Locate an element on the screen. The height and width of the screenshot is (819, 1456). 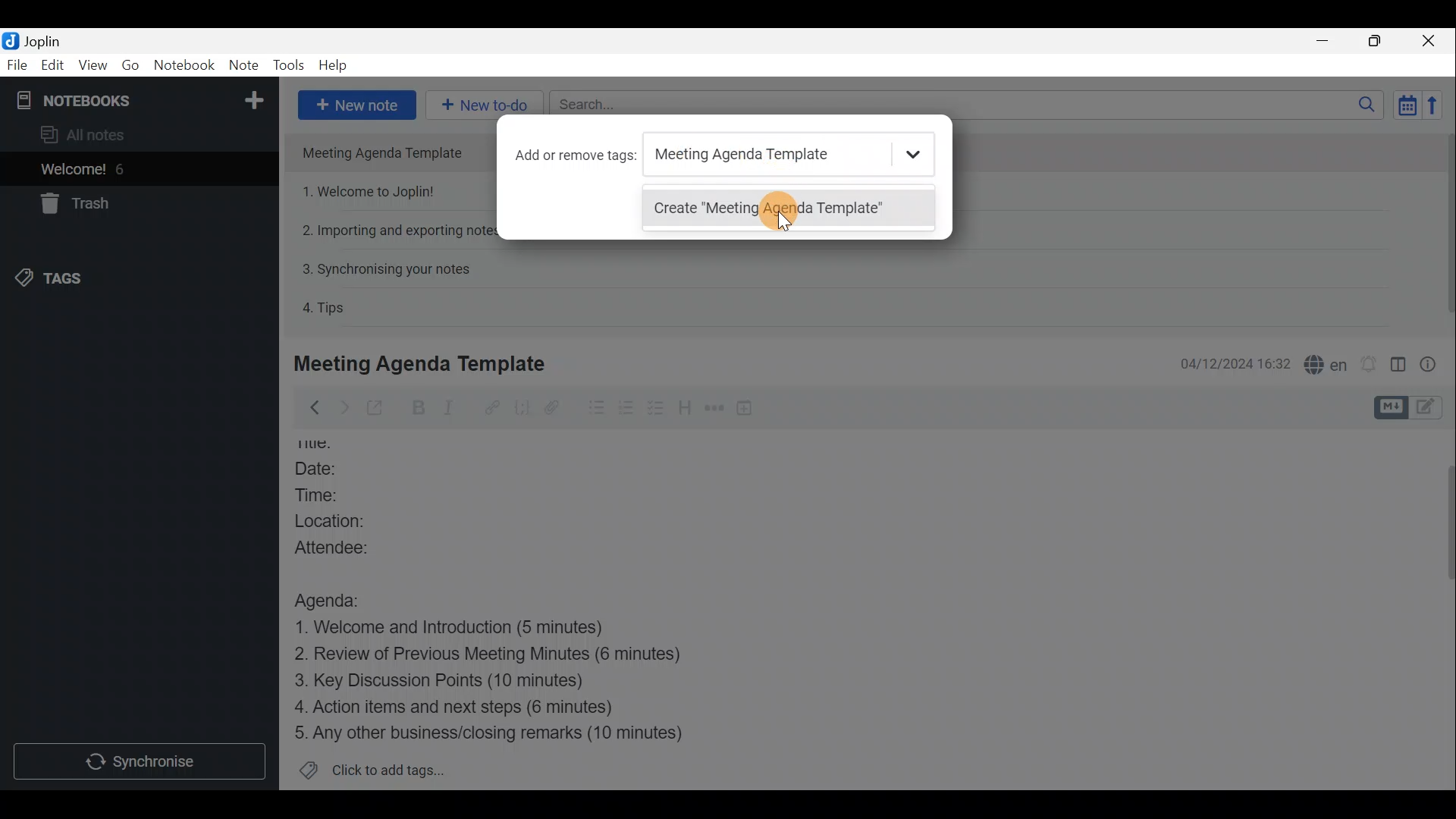
Any other business/closing remarks (10 minutes) is located at coordinates (494, 732).